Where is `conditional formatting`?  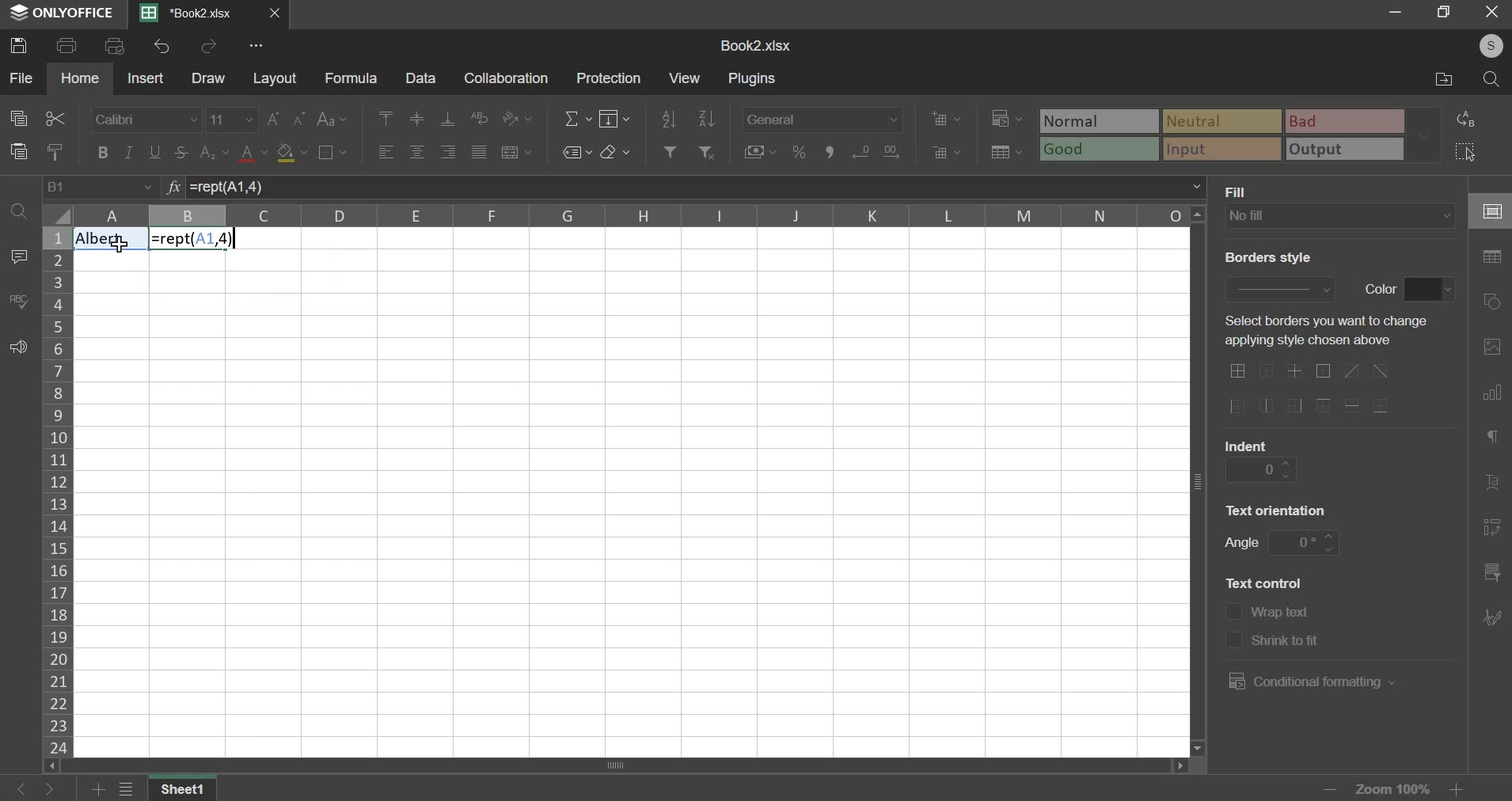 conditional formatting is located at coordinates (1316, 682).